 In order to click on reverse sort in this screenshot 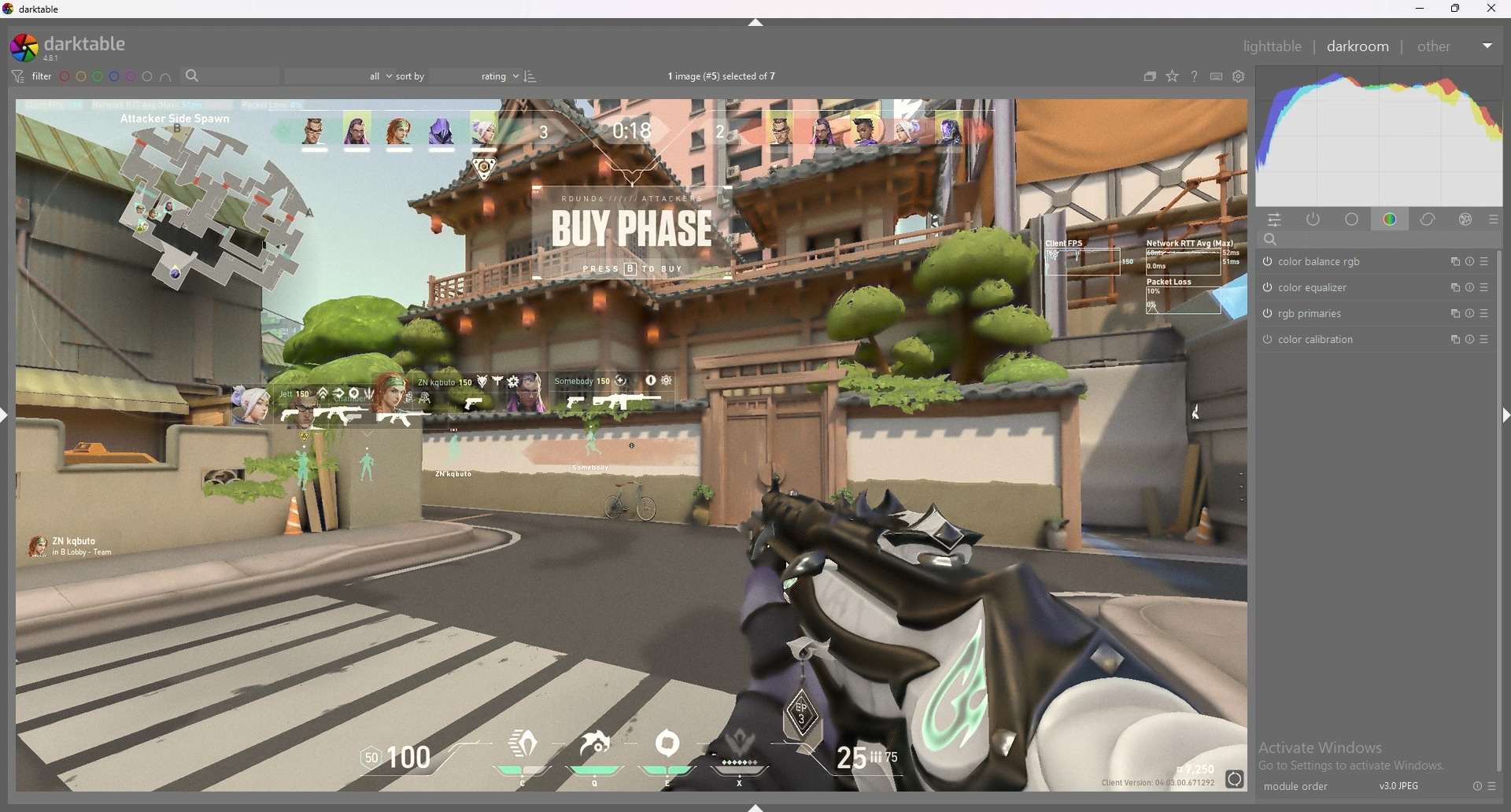, I will do `click(530, 76)`.